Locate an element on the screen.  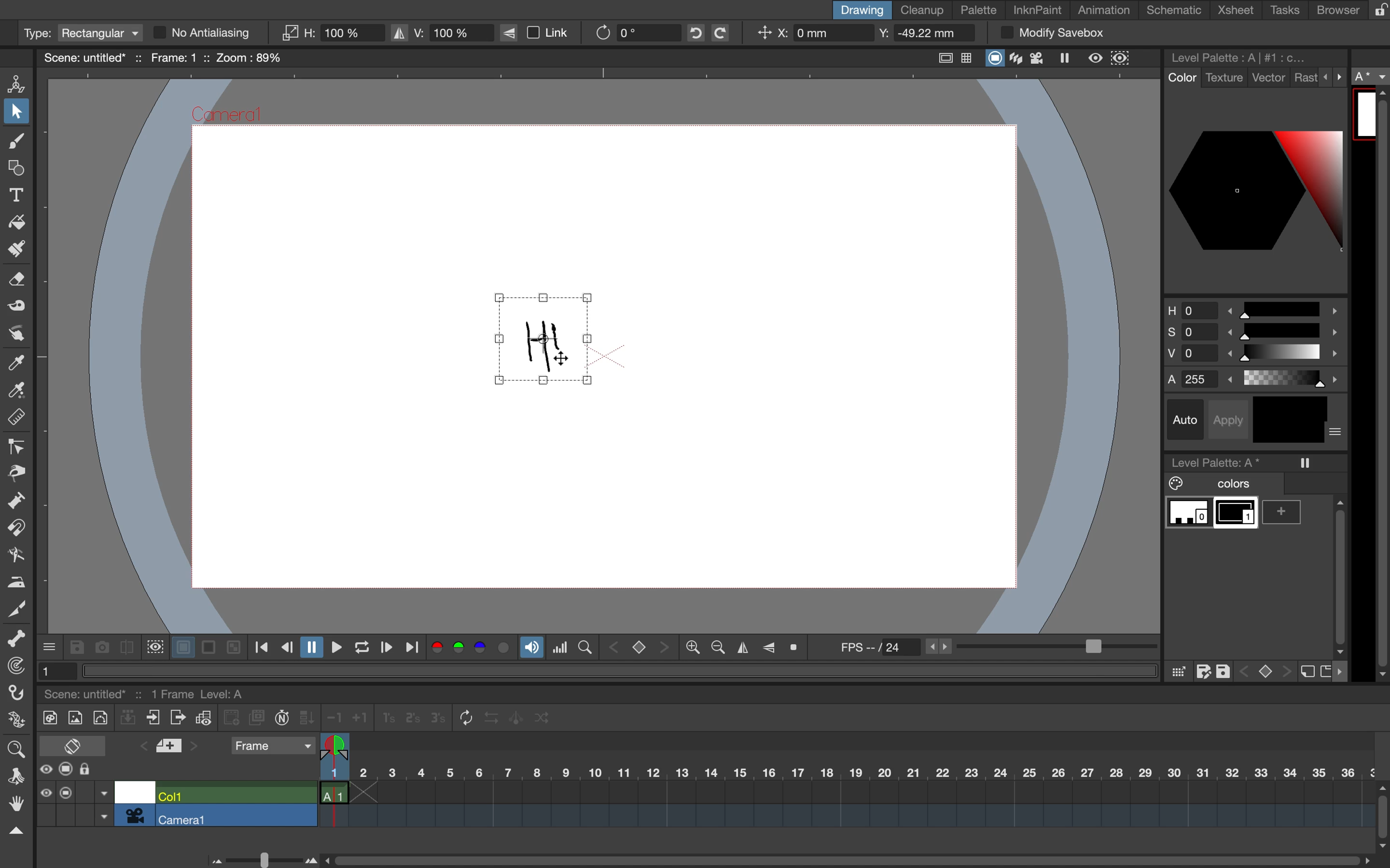
previous frame is located at coordinates (286, 648).